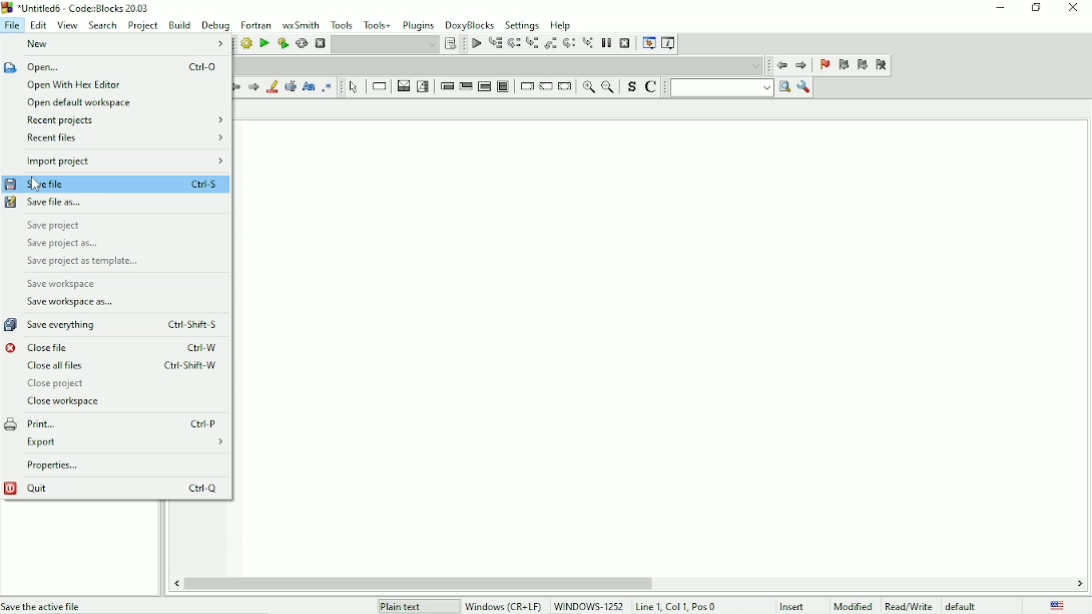  I want to click on Step into, so click(532, 44).